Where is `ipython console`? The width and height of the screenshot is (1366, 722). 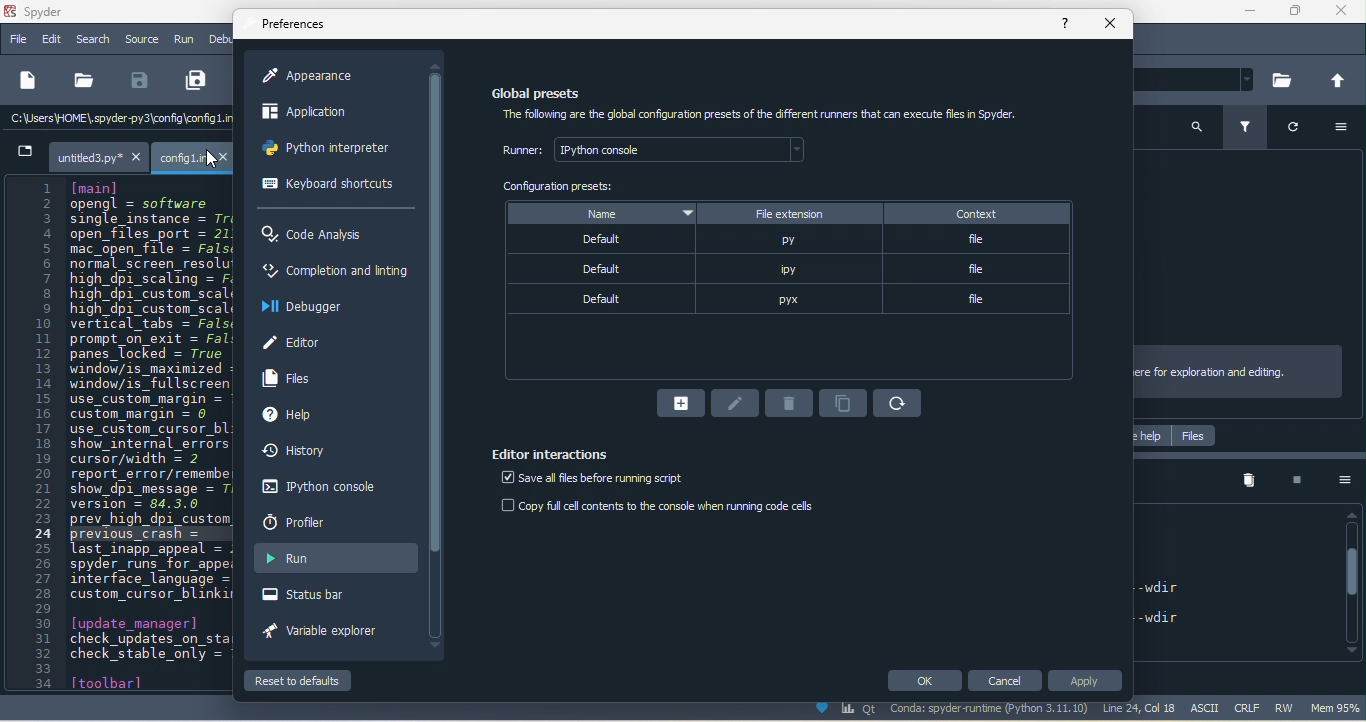
ipython console is located at coordinates (328, 491).